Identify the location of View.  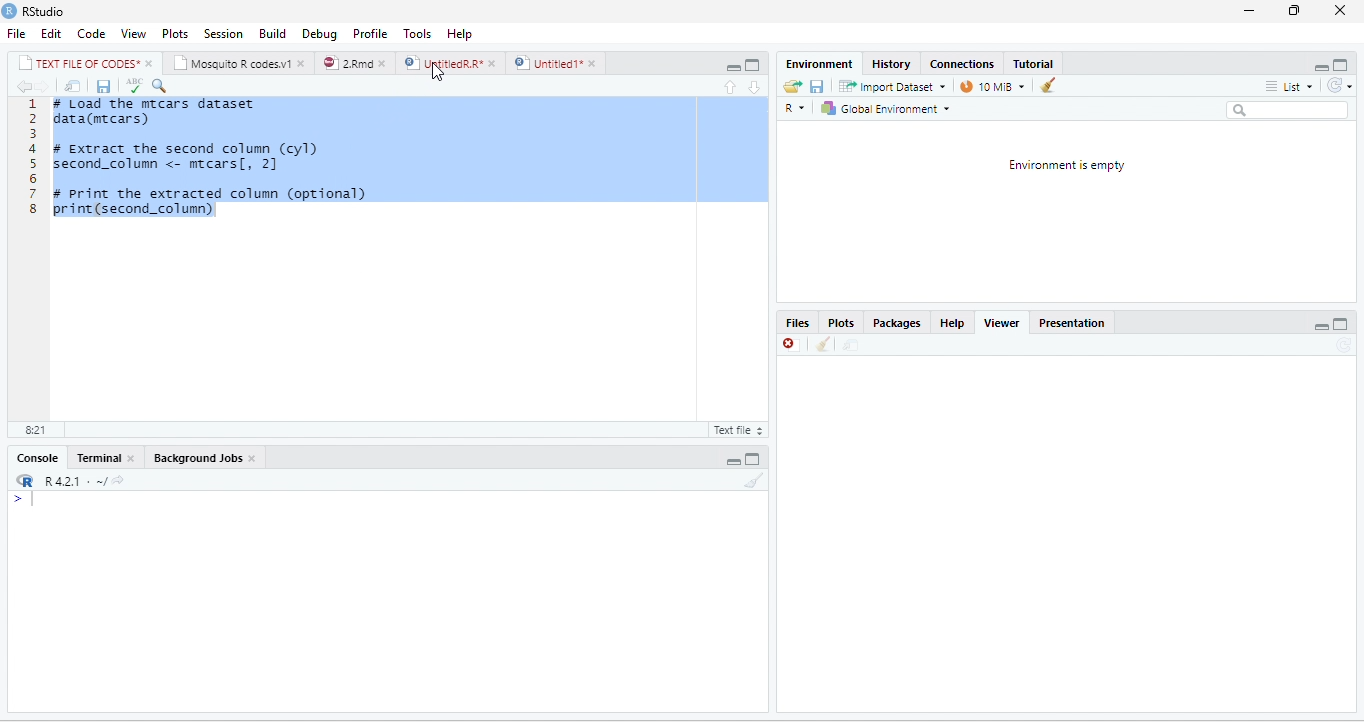
(134, 32).